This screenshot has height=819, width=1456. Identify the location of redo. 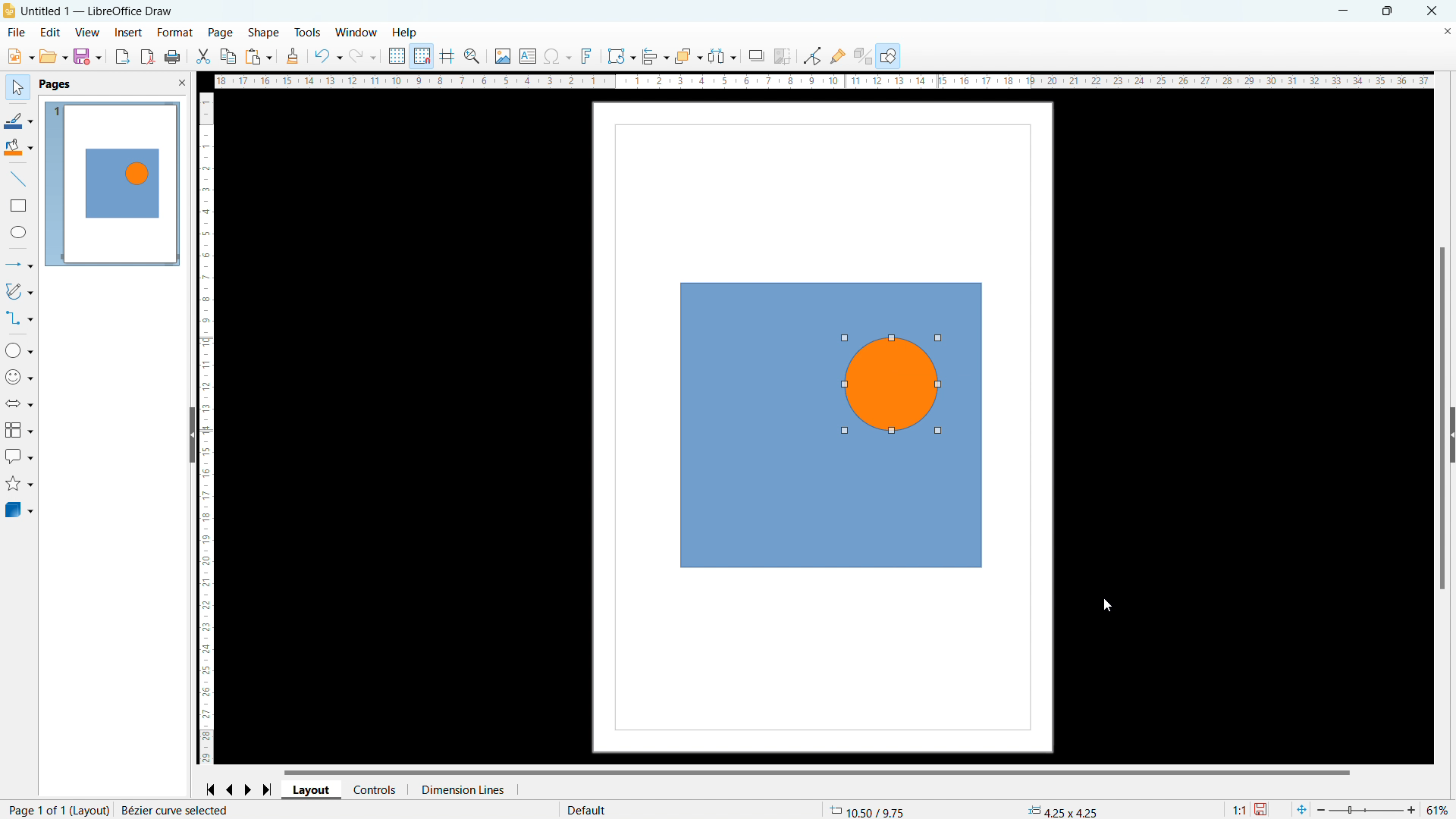
(362, 55).